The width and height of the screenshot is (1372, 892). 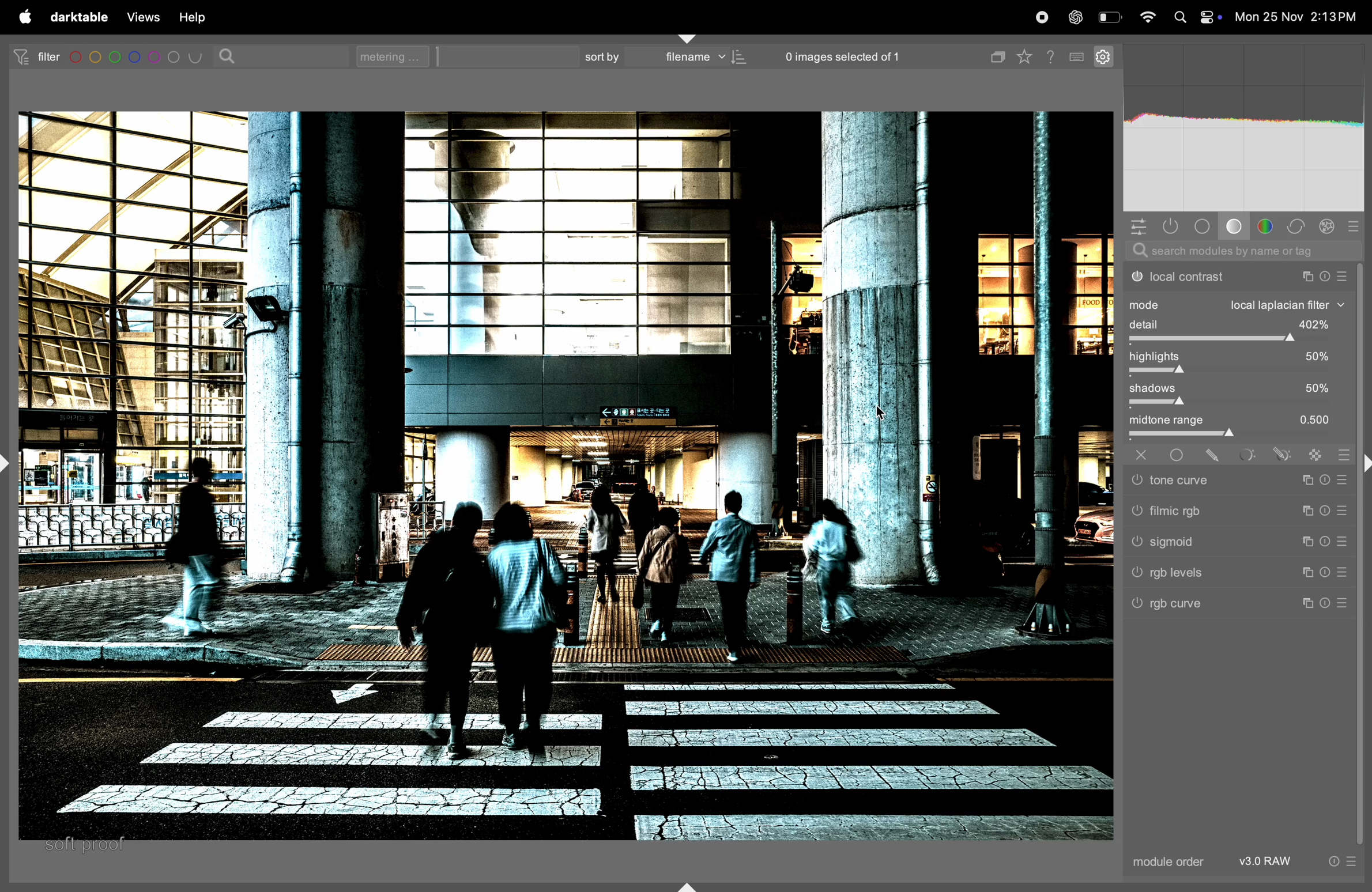 What do you see at coordinates (843, 53) in the screenshot?
I see `0 images selected of 1` at bounding box center [843, 53].